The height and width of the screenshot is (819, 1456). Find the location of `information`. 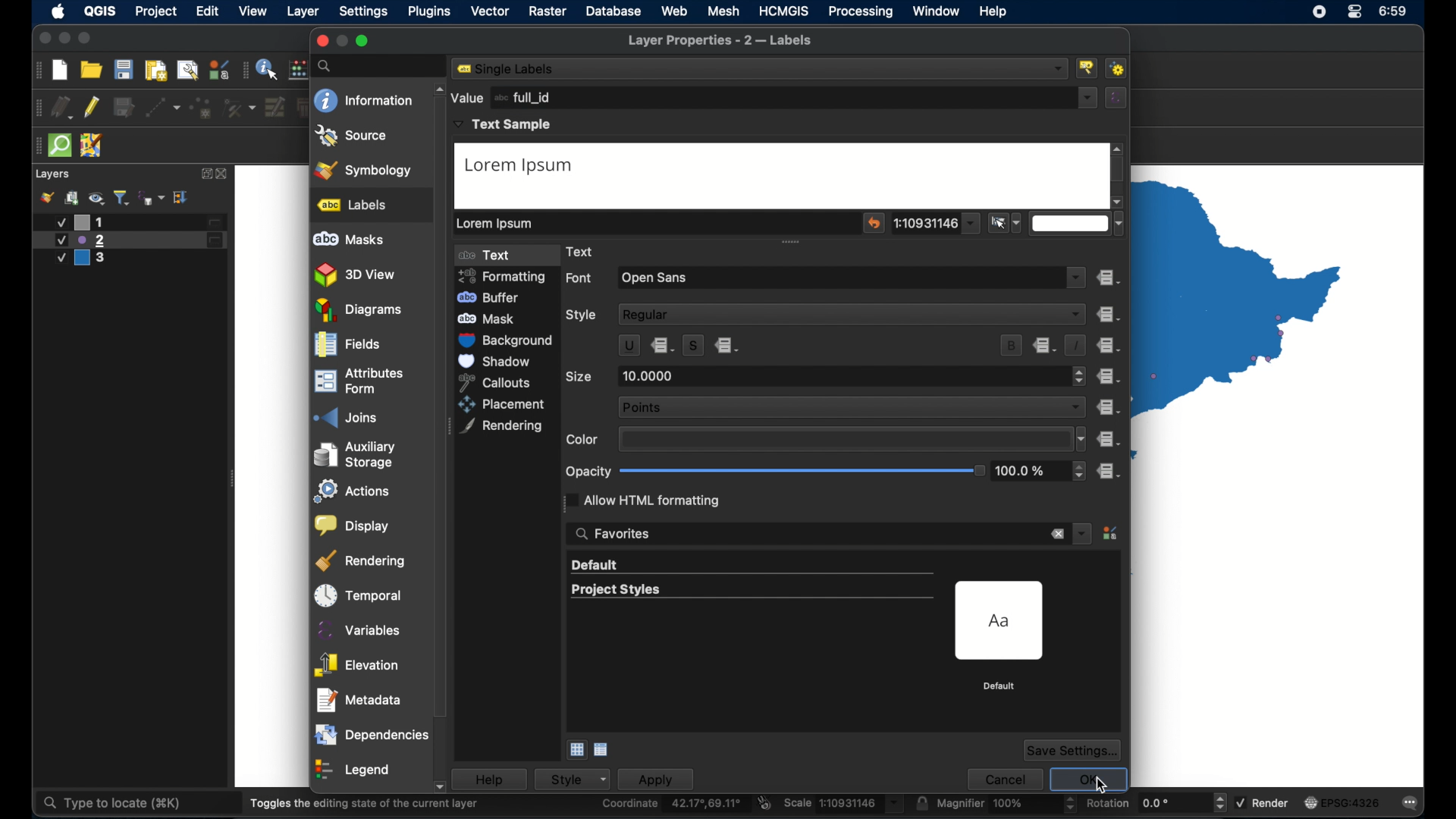

information is located at coordinates (363, 100).